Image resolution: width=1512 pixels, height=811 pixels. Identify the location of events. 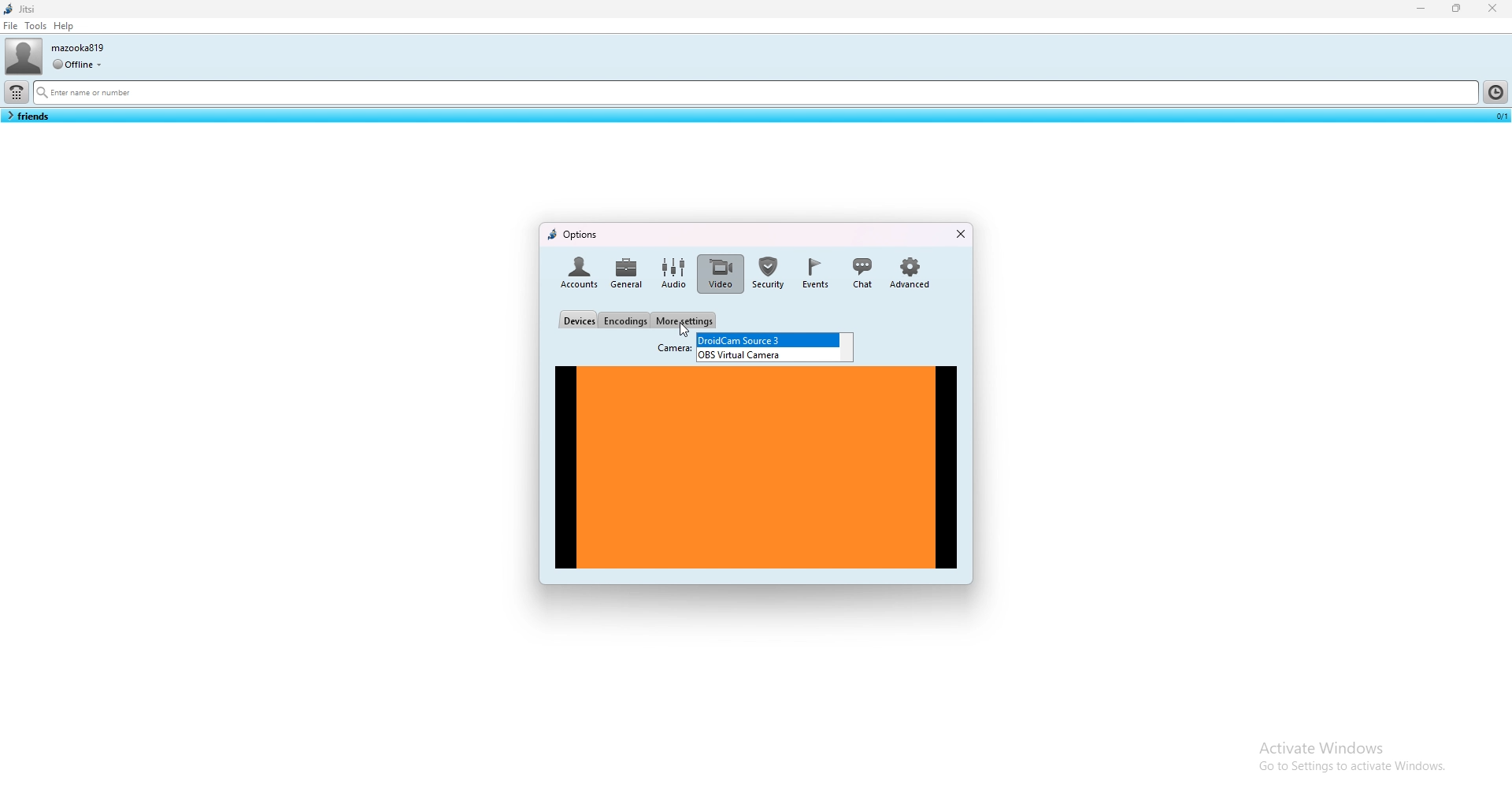
(817, 274).